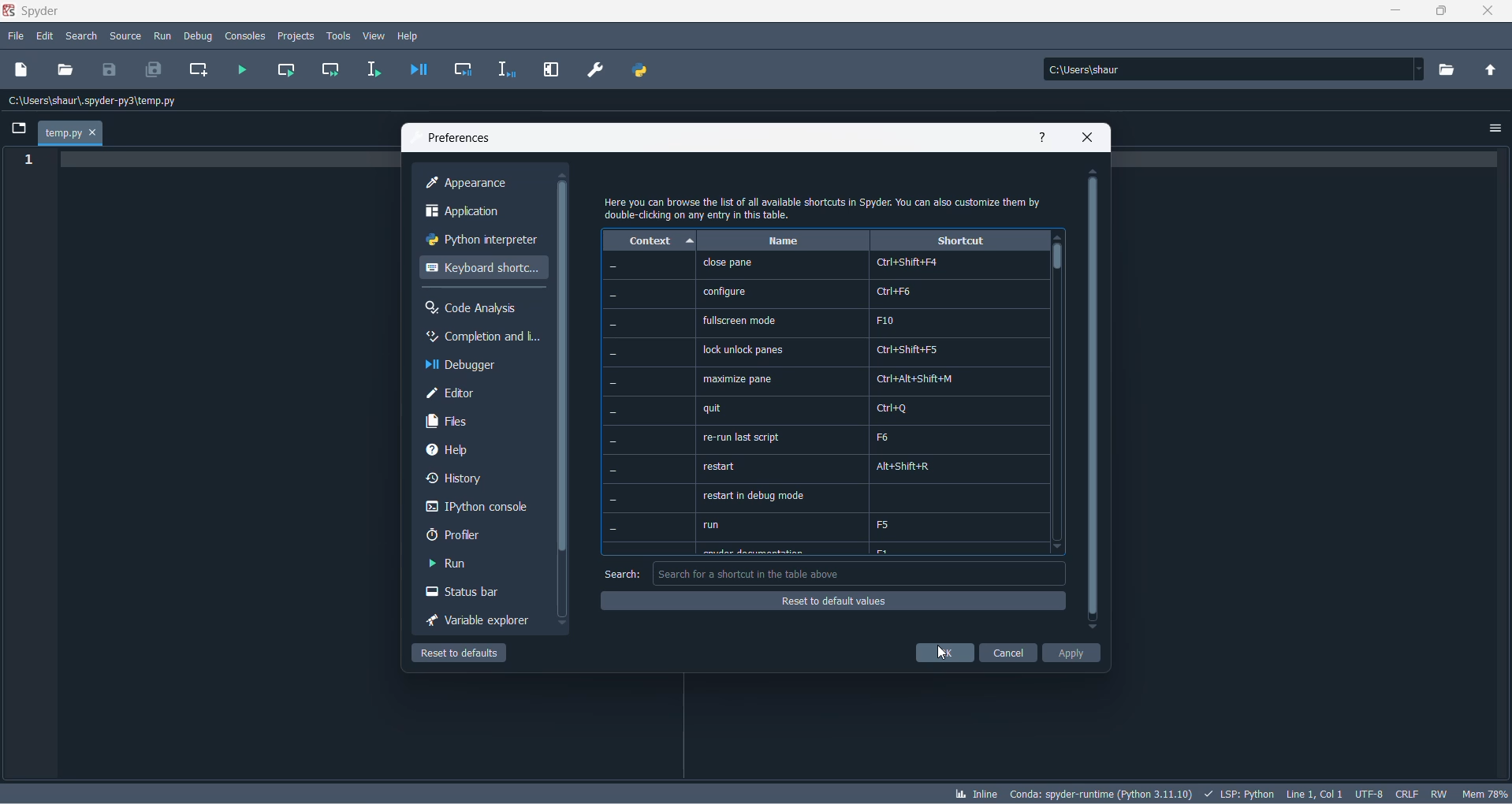 The width and height of the screenshot is (1512, 804). I want to click on F5, so click(887, 524).